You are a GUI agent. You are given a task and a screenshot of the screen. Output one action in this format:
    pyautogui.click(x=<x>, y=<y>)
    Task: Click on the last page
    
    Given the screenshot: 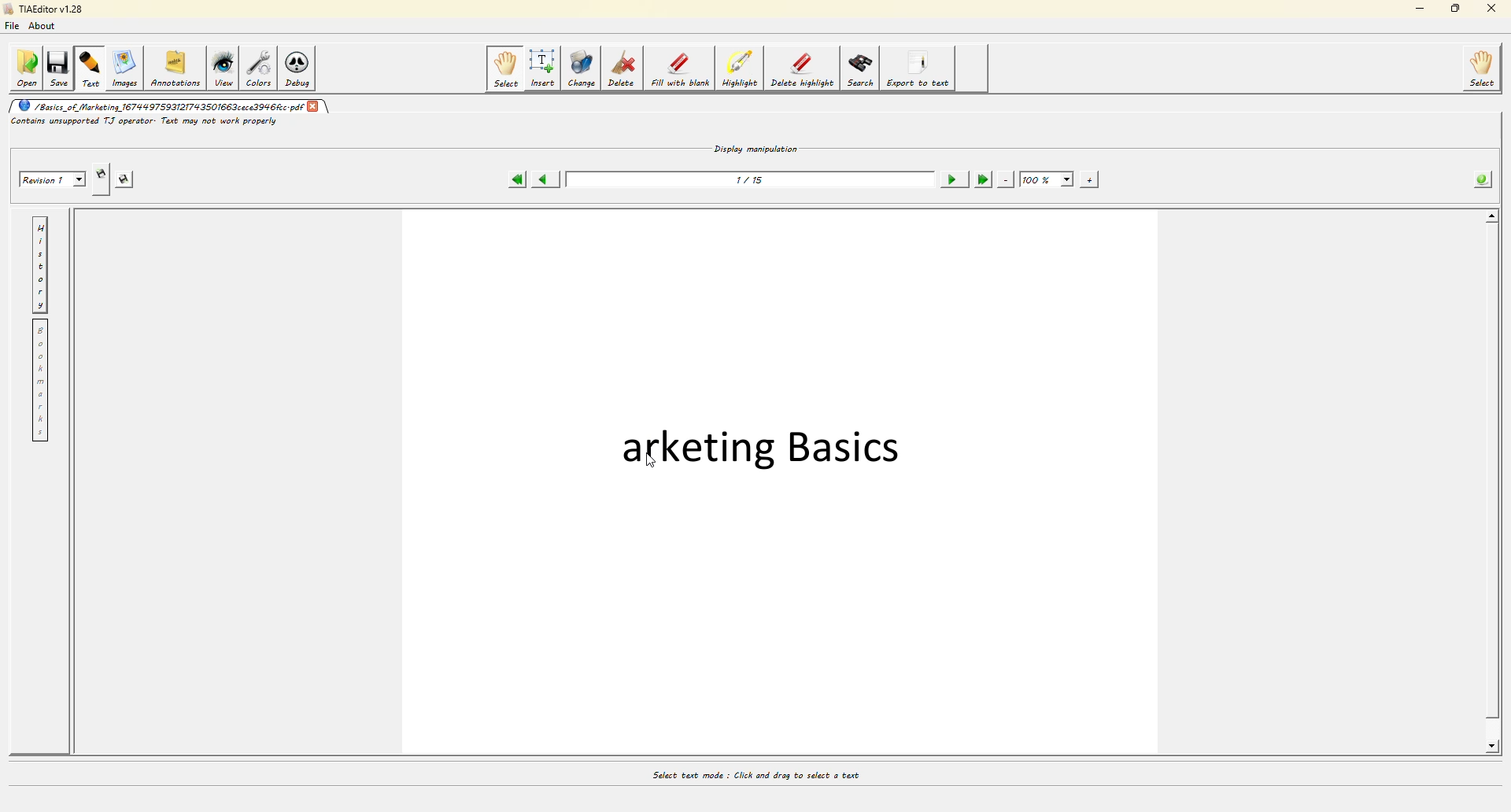 What is the action you would take?
    pyautogui.click(x=982, y=177)
    